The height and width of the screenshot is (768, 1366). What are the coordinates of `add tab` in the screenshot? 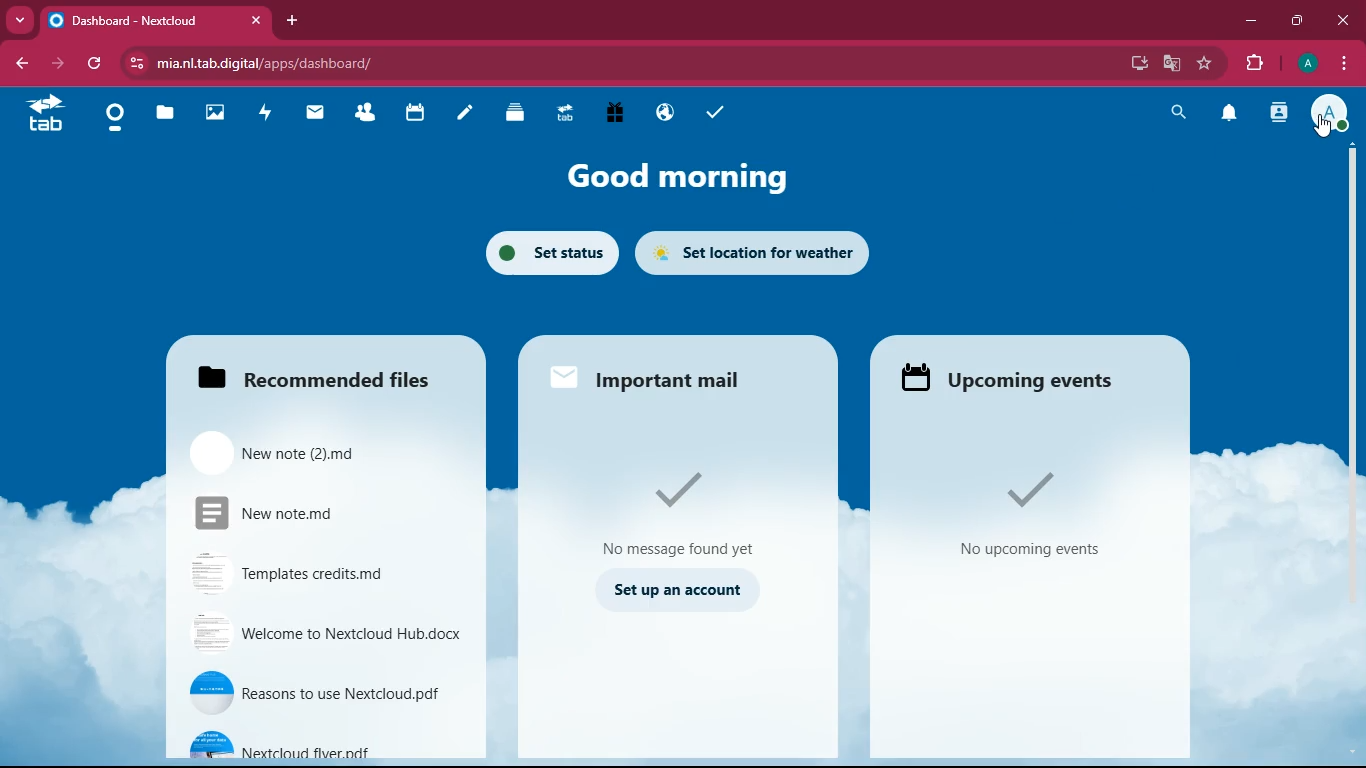 It's located at (295, 22).